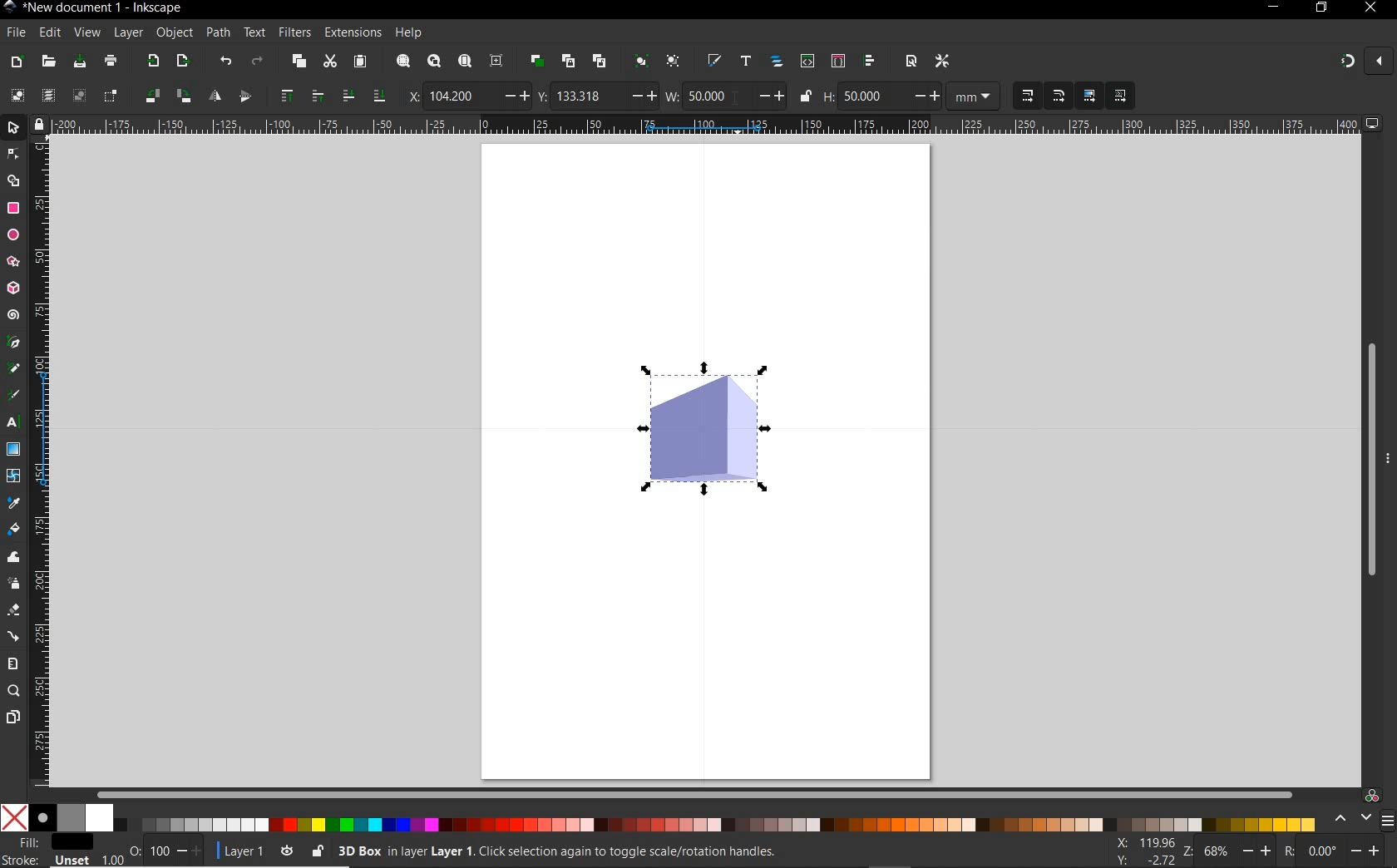 This screenshot has width=1397, height=868. I want to click on ruler, so click(42, 461).